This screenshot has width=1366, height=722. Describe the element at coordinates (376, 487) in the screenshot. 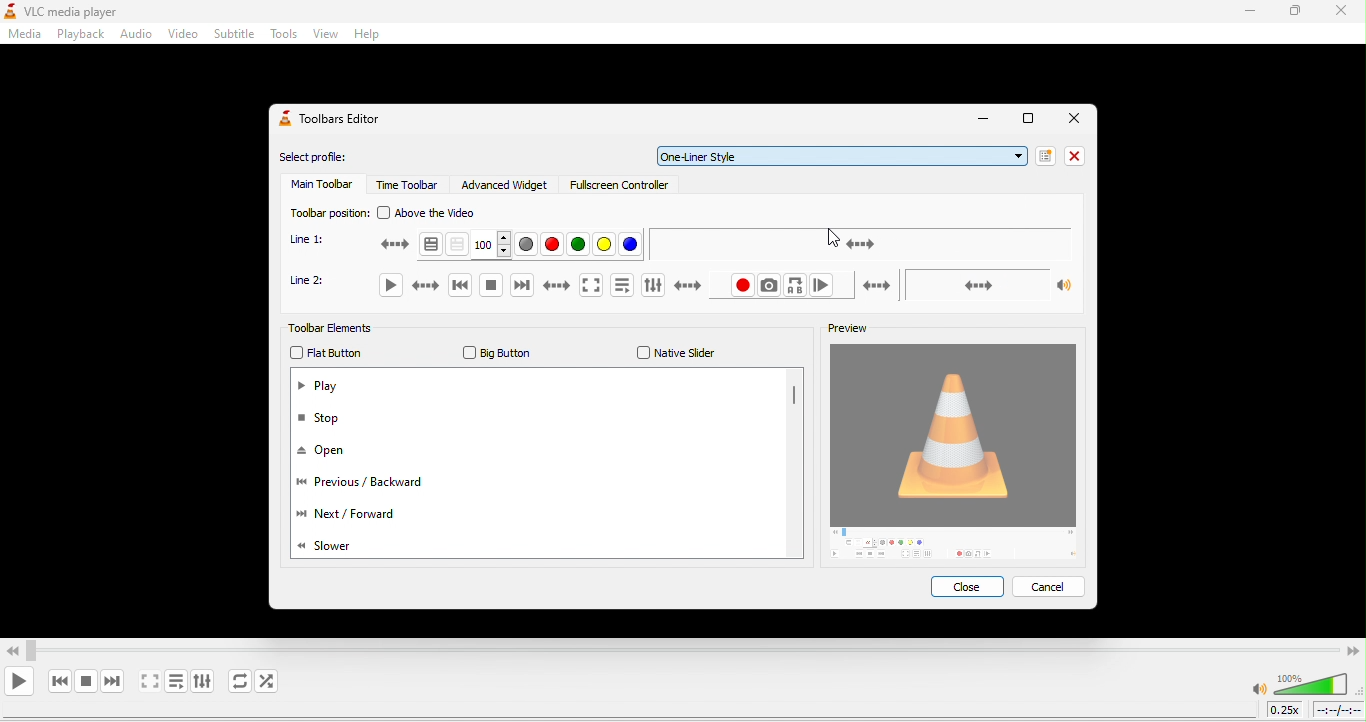

I see `previous/backward` at that location.